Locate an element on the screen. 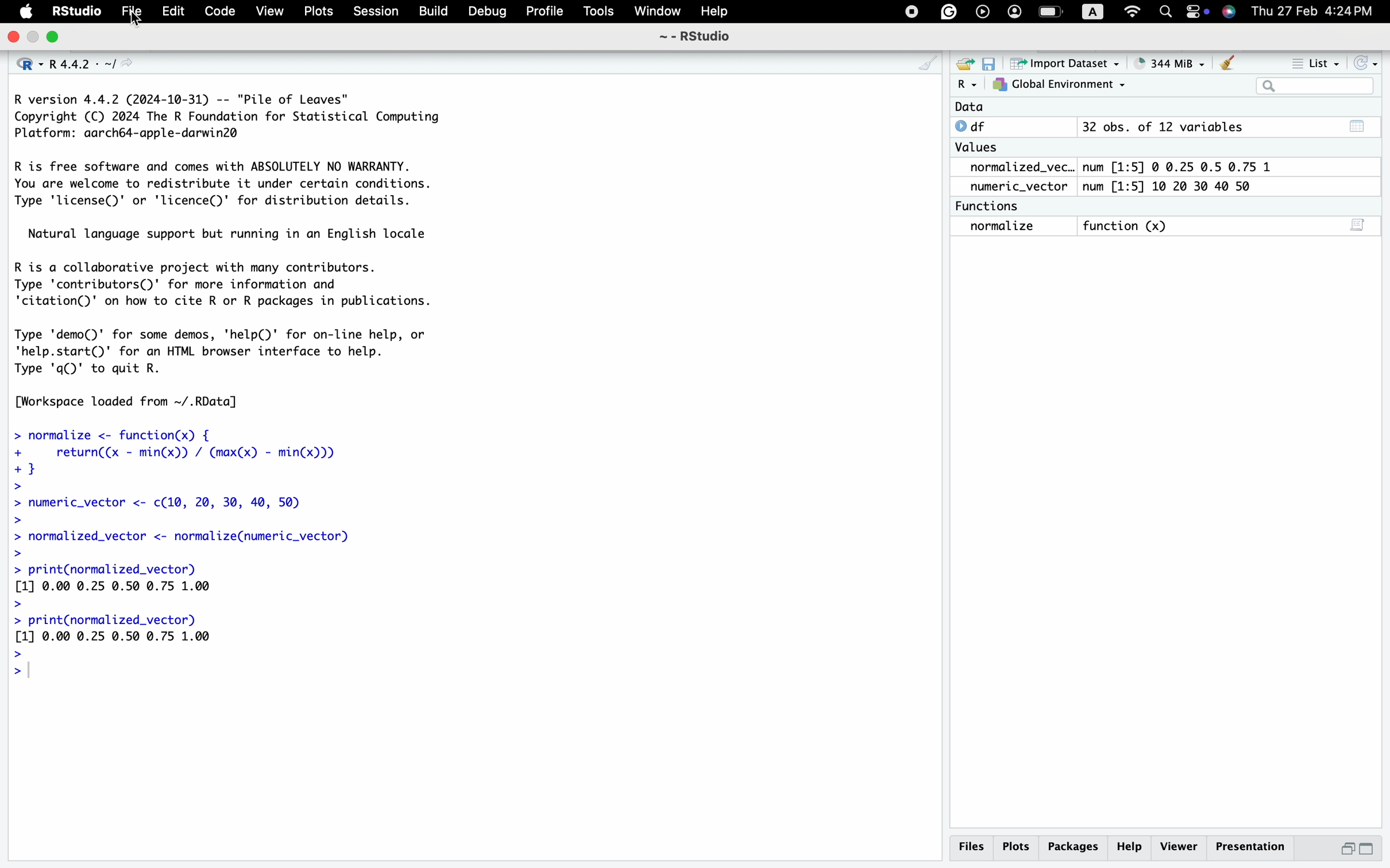 This screenshot has width=1390, height=868. Import Dataset is located at coordinates (1061, 63).